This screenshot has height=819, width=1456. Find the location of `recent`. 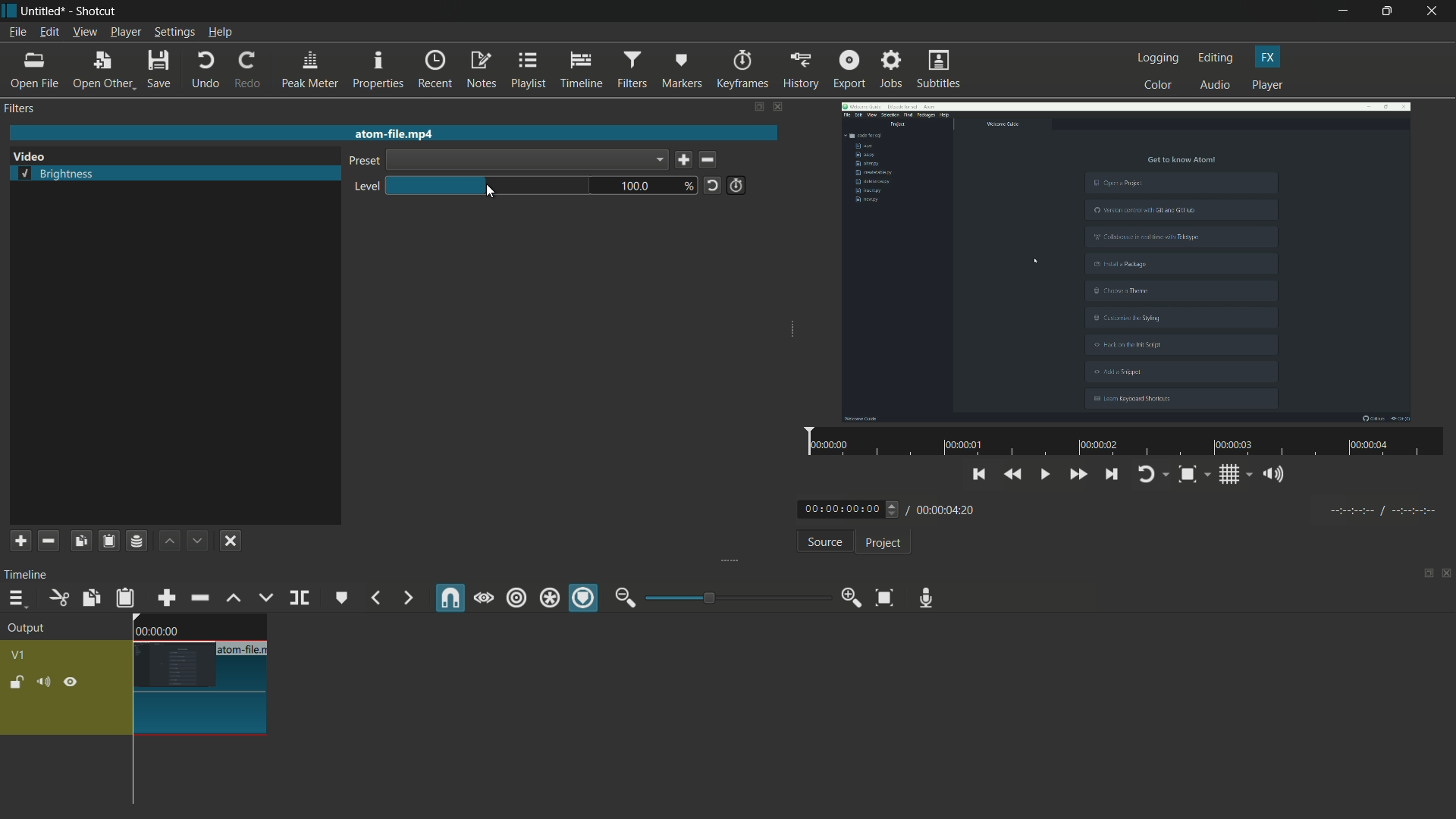

recent is located at coordinates (437, 69).